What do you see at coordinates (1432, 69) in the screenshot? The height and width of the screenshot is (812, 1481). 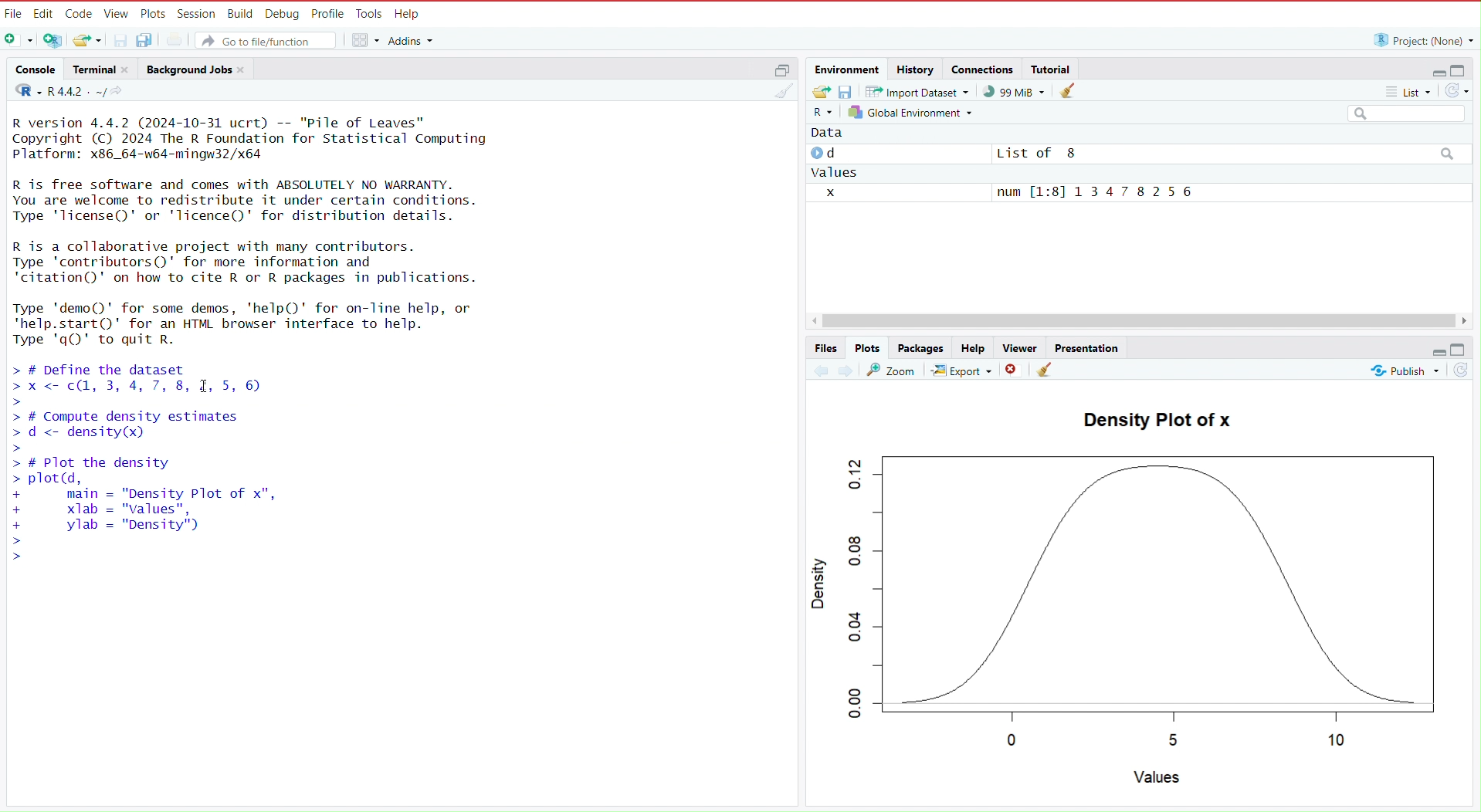 I see `minimize` at bounding box center [1432, 69].